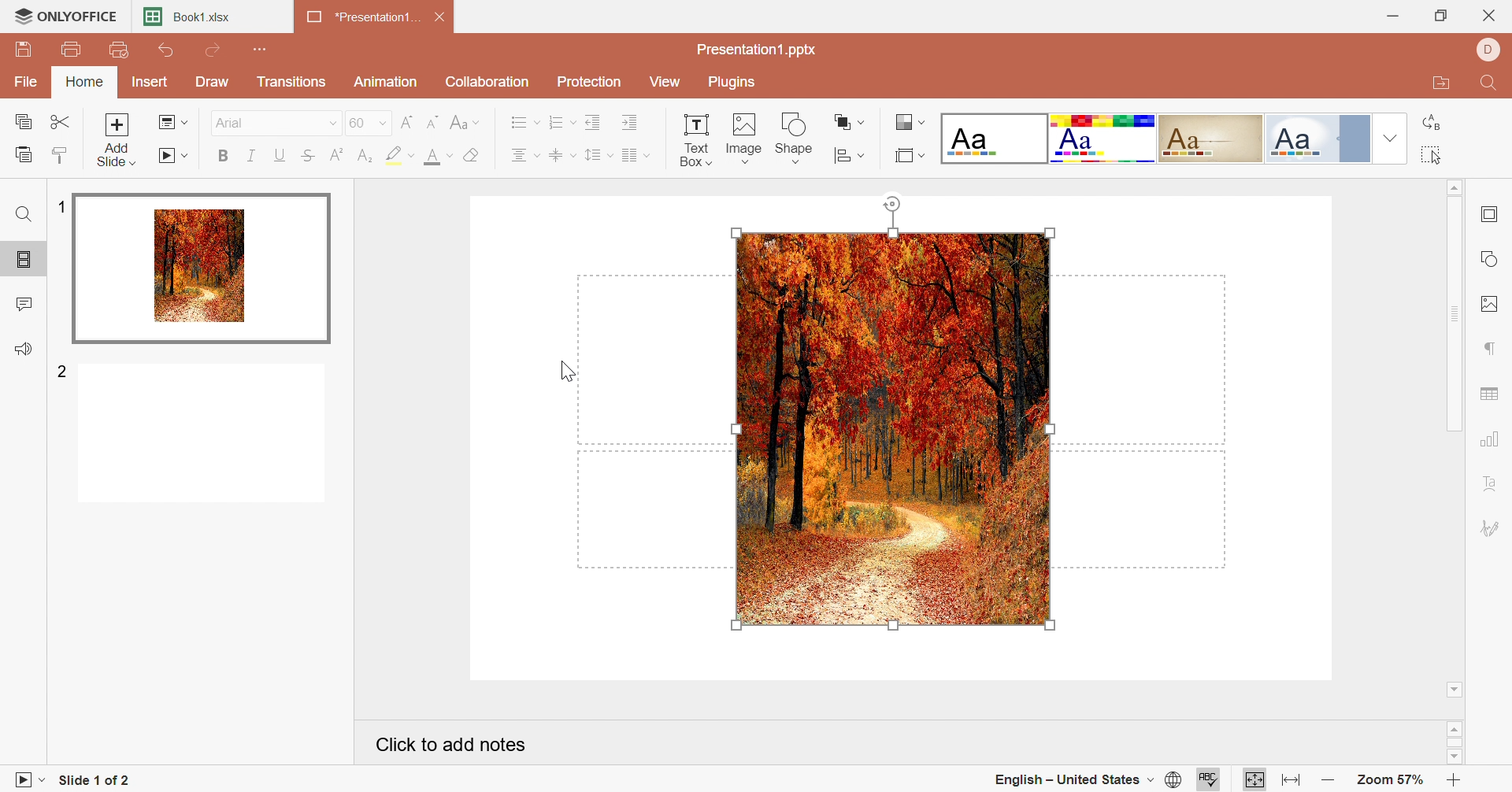 This screenshot has height=792, width=1512. I want to click on Change slide layout, so click(173, 121).